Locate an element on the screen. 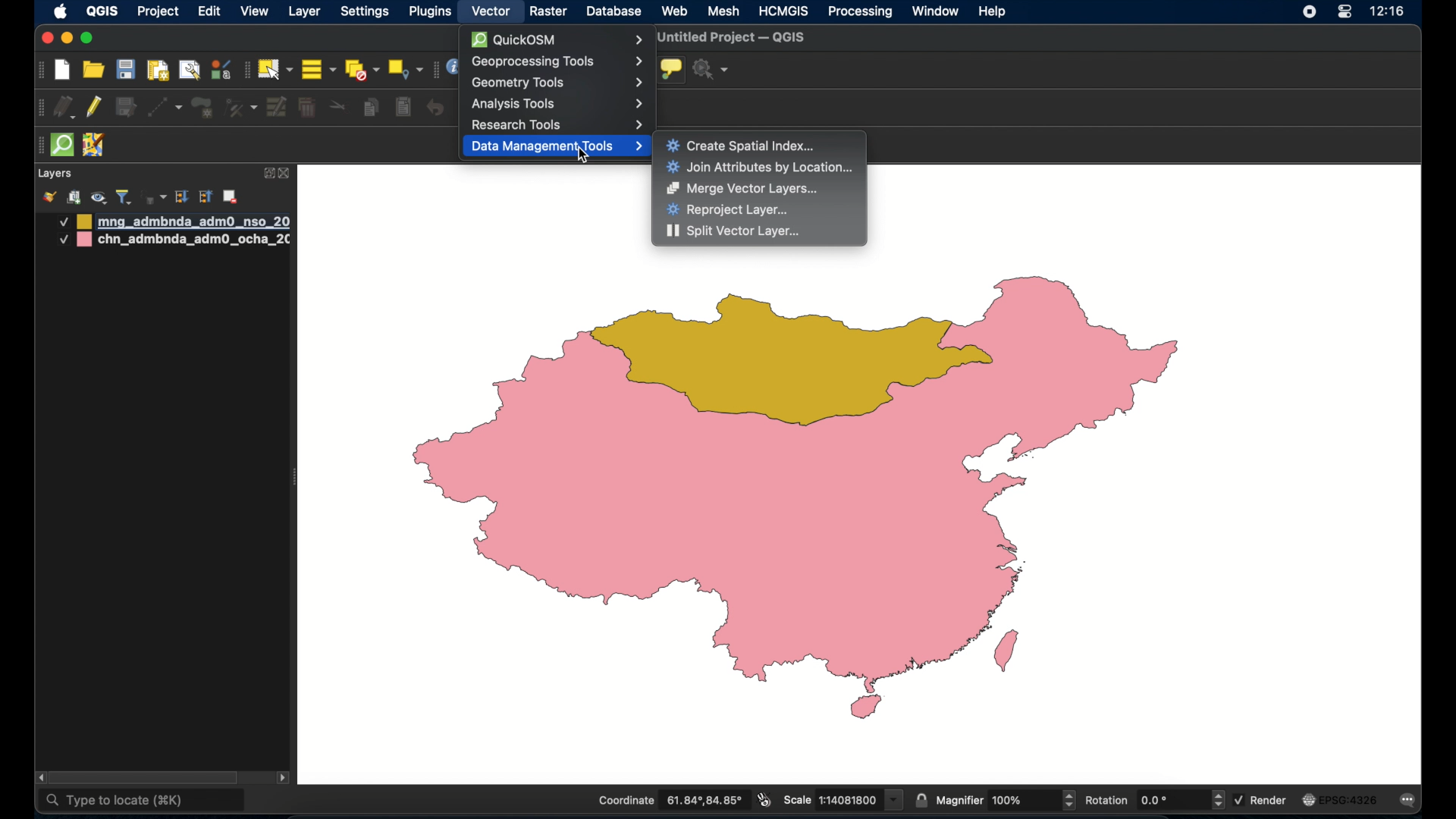  modify attributes is located at coordinates (278, 108).